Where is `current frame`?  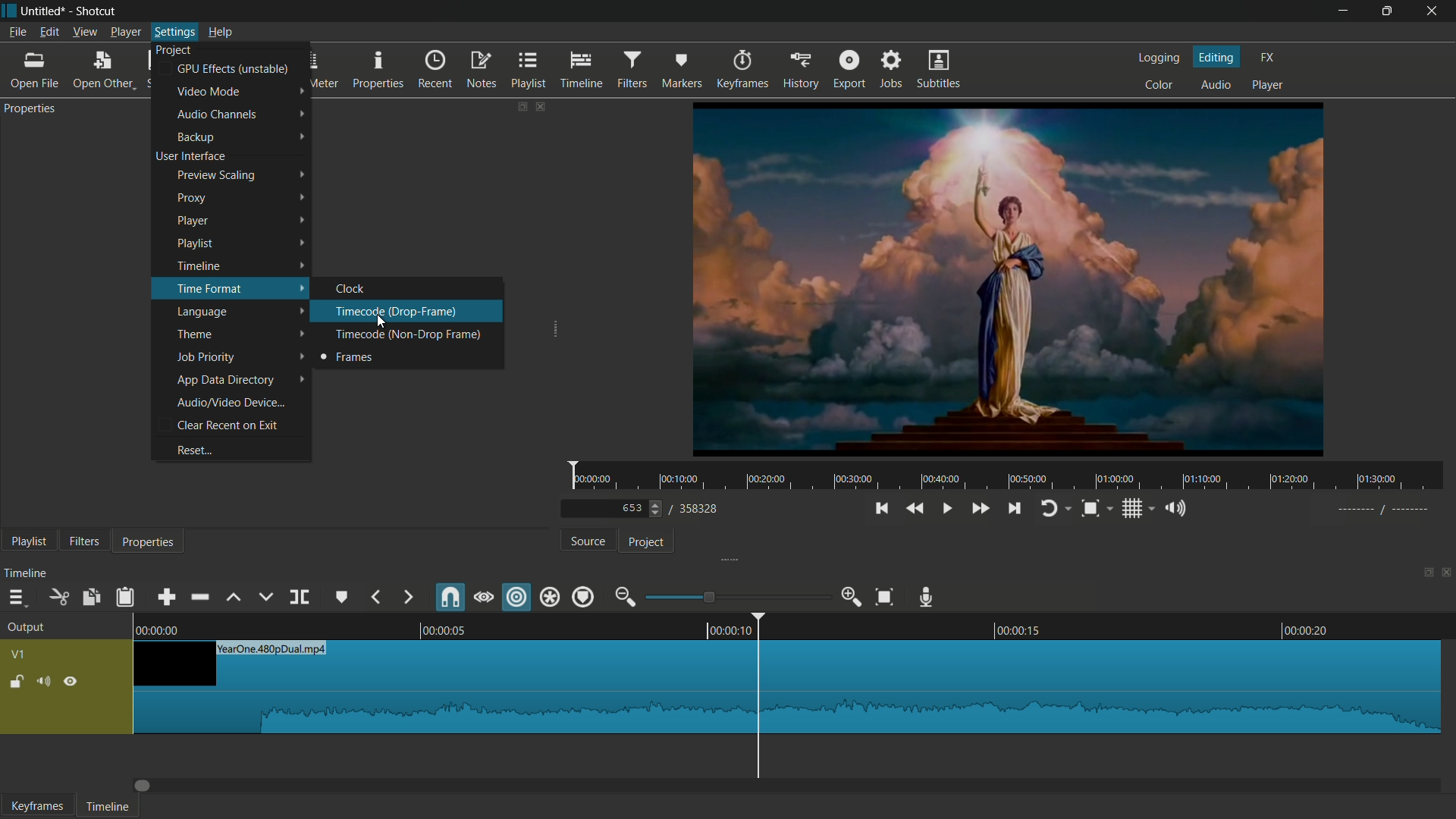 current frame is located at coordinates (629, 508).